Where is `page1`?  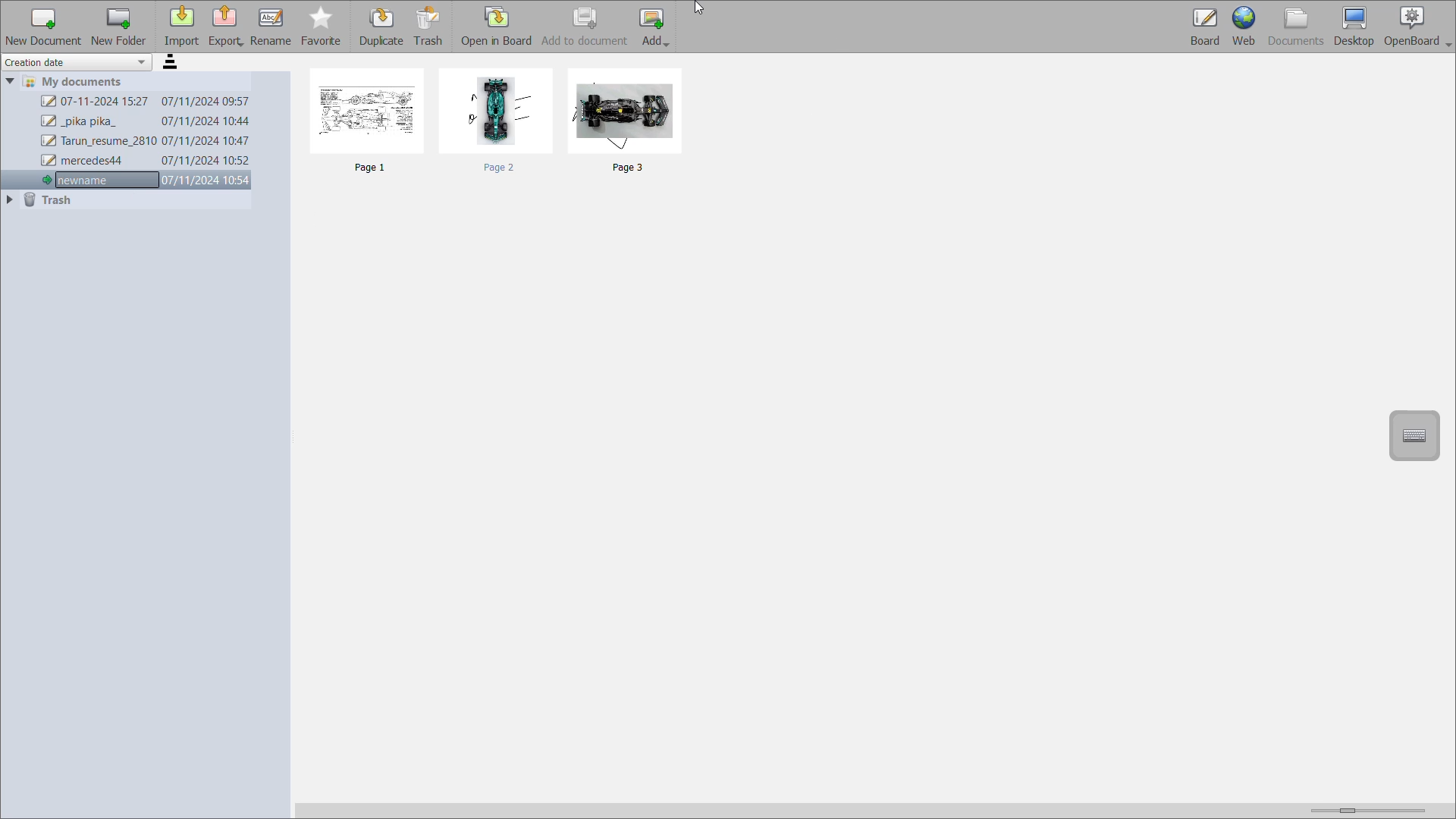 page1 is located at coordinates (372, 124).